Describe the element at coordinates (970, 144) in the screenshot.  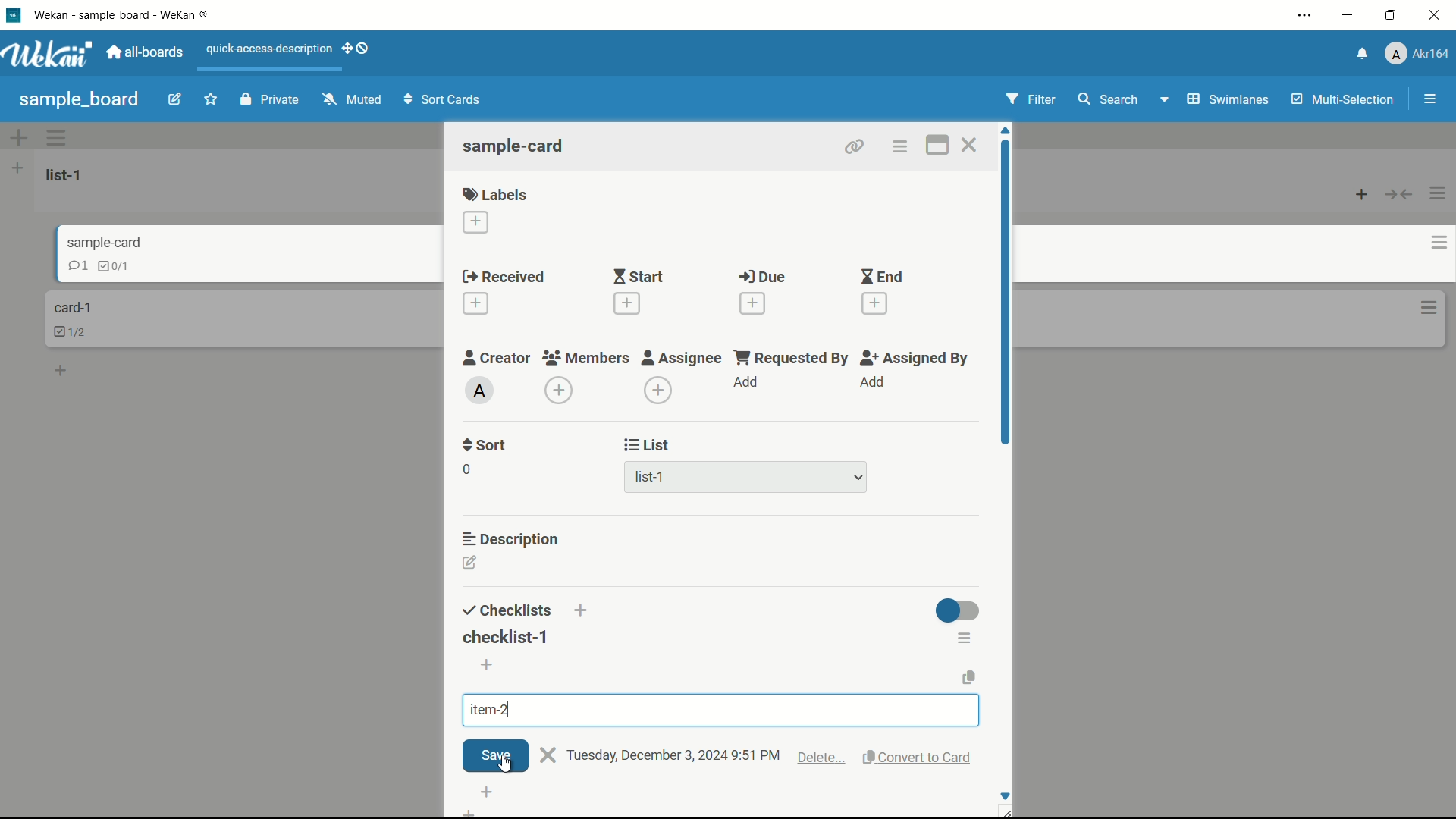
I see `close card` at that location.